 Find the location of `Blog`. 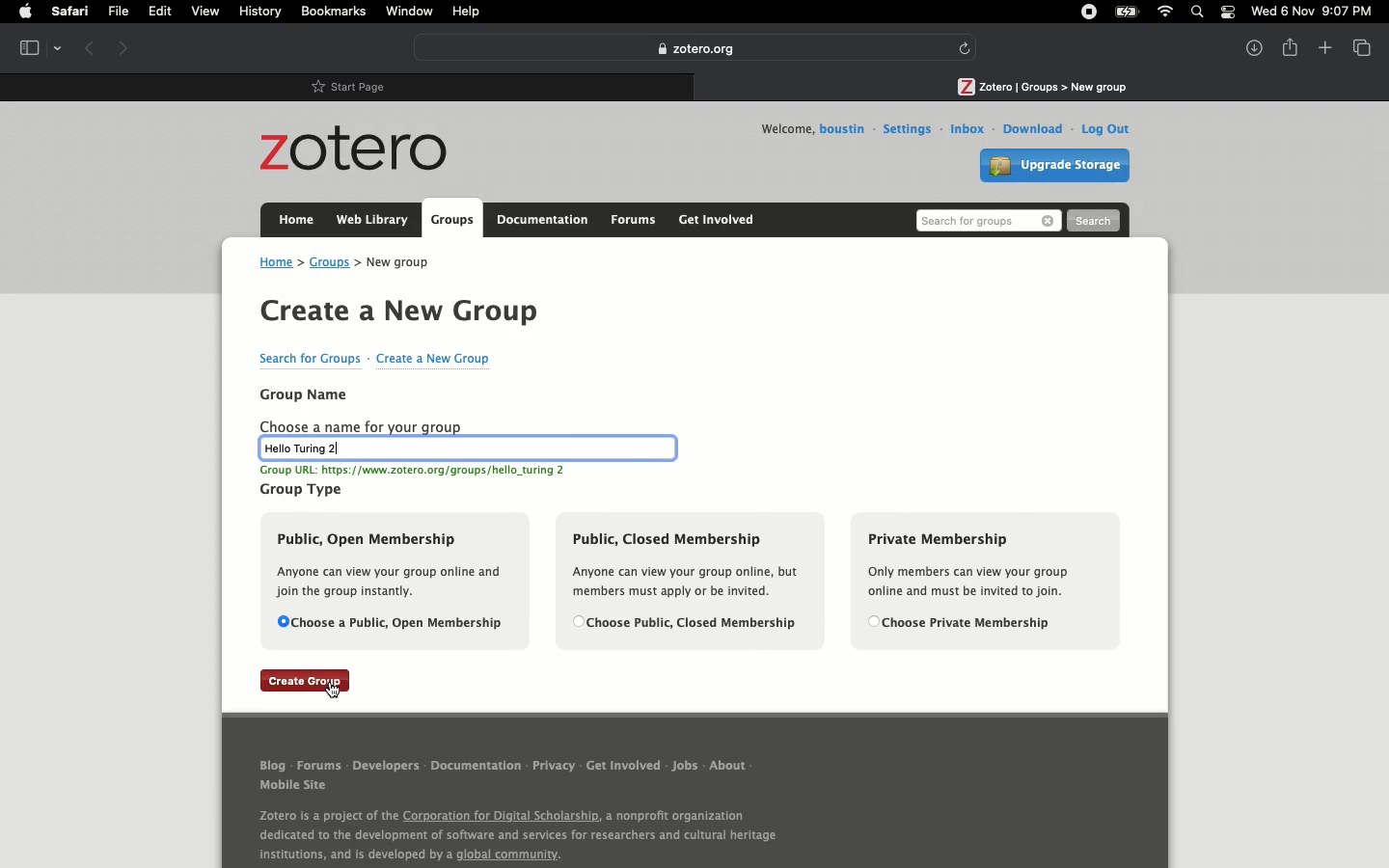

Blog is located at coordinates (271, 767).